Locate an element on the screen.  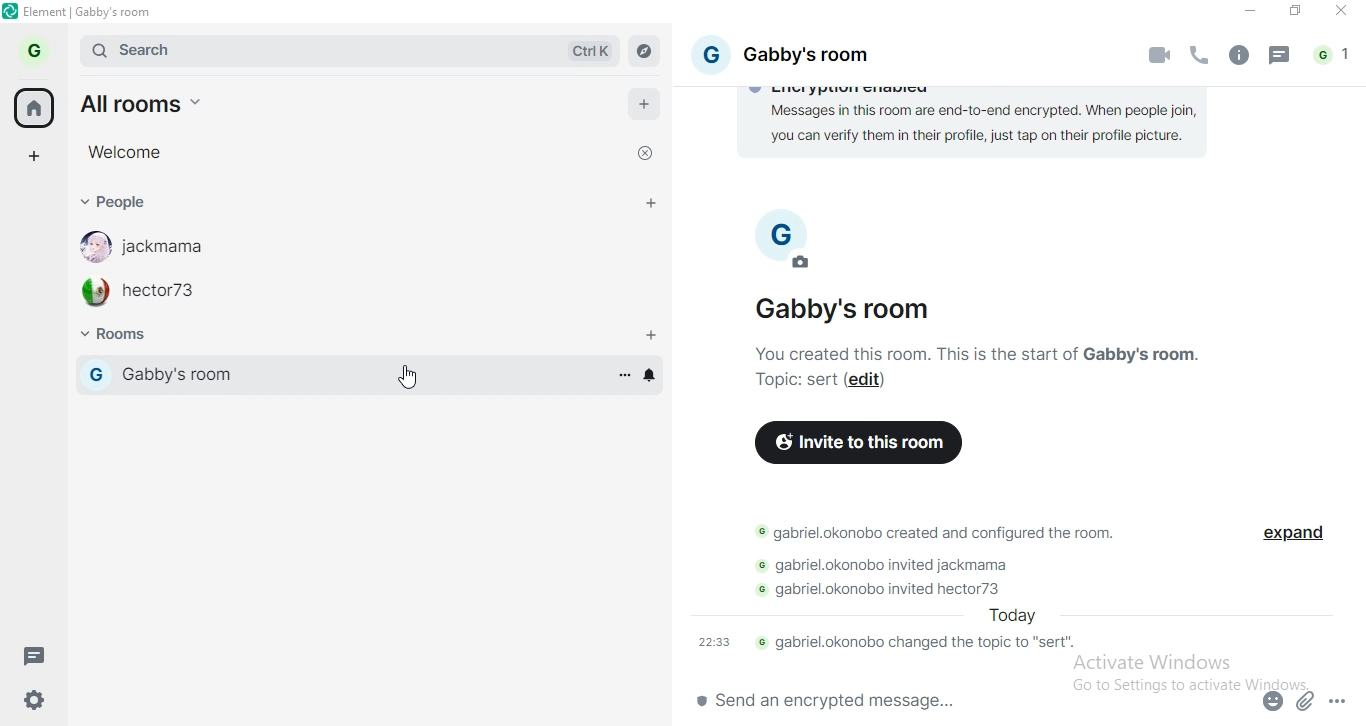
home is located at coordinates (33, 107).